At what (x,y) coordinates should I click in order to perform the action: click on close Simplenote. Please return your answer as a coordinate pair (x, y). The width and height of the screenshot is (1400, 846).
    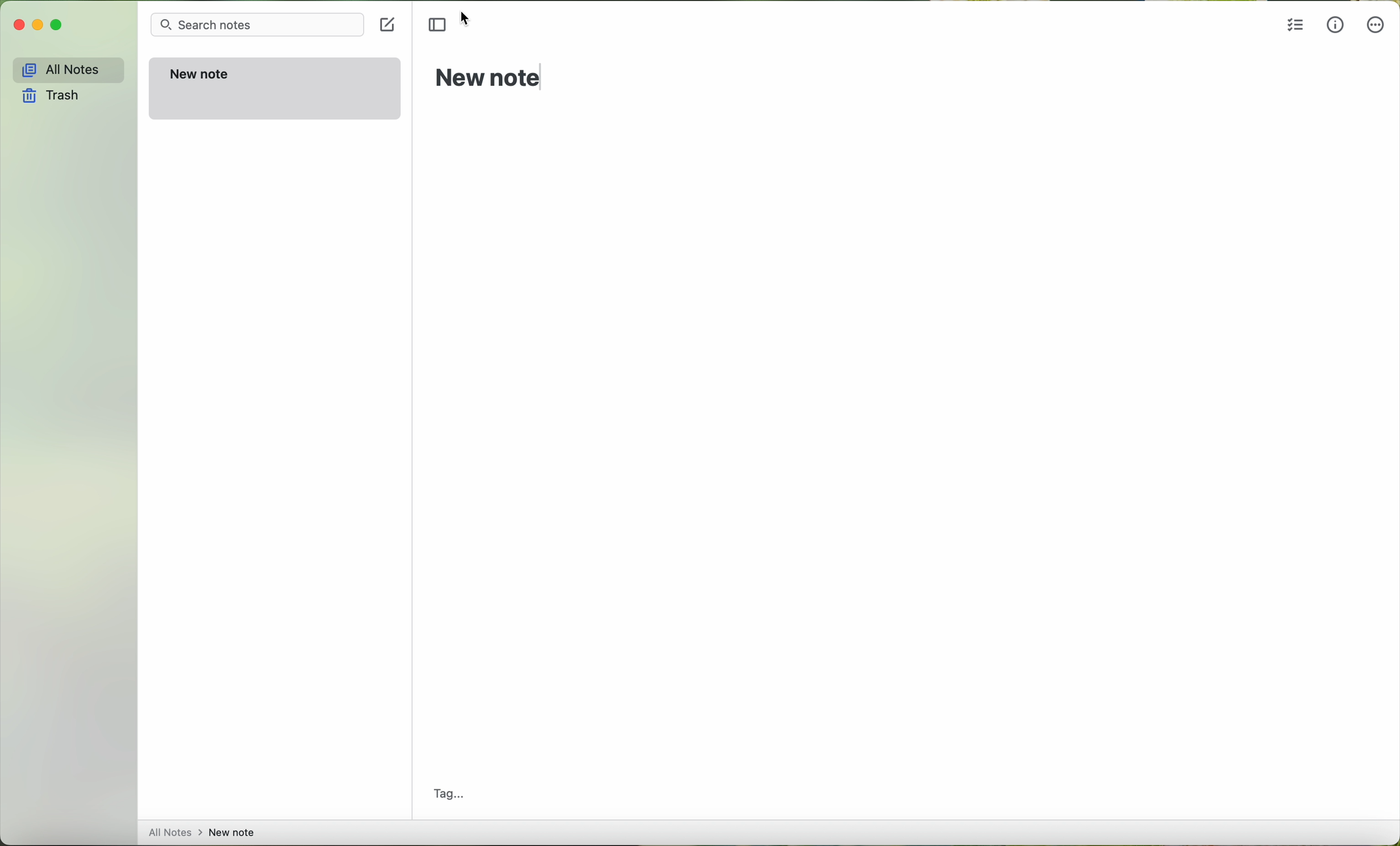
    Looking at the image, I should click on (18, 25).